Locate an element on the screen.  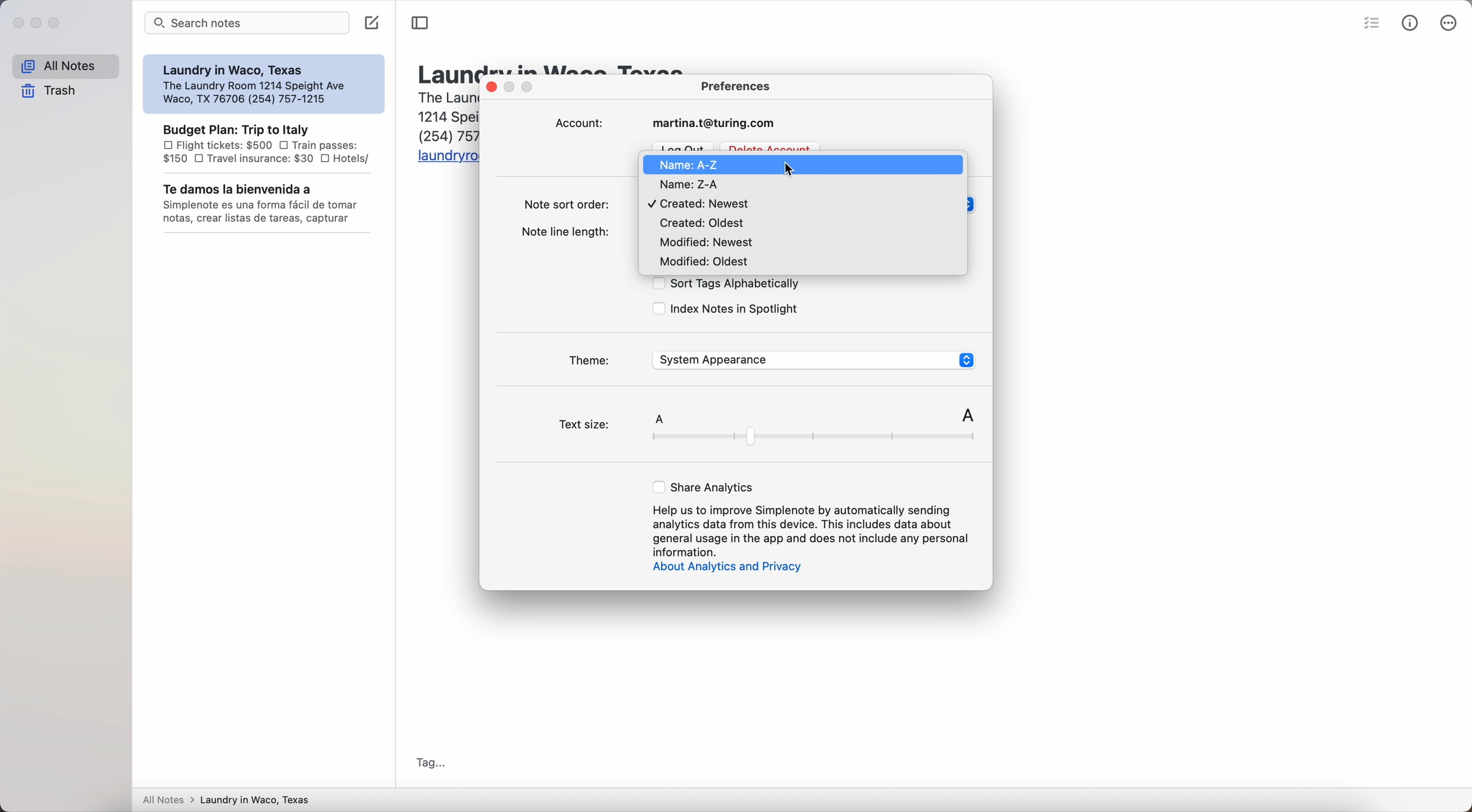
all notes > laundry in Waco, Texas is located at coordinates (232, 798).